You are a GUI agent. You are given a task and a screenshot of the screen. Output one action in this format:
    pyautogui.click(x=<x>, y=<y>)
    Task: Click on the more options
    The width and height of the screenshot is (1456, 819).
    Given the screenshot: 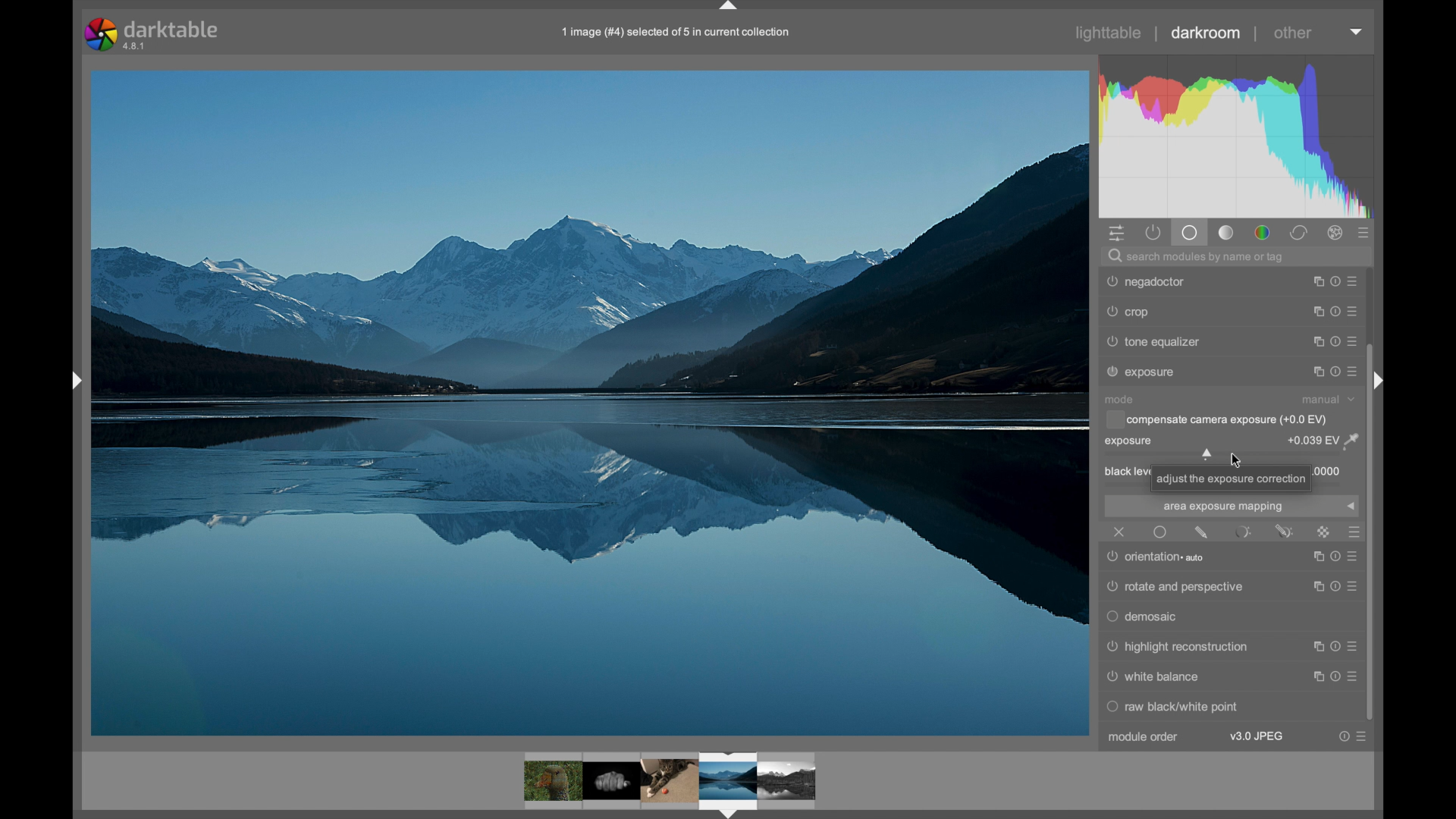 What is the action you would take?
    pyautogui.click(x=1336, y=281)
    